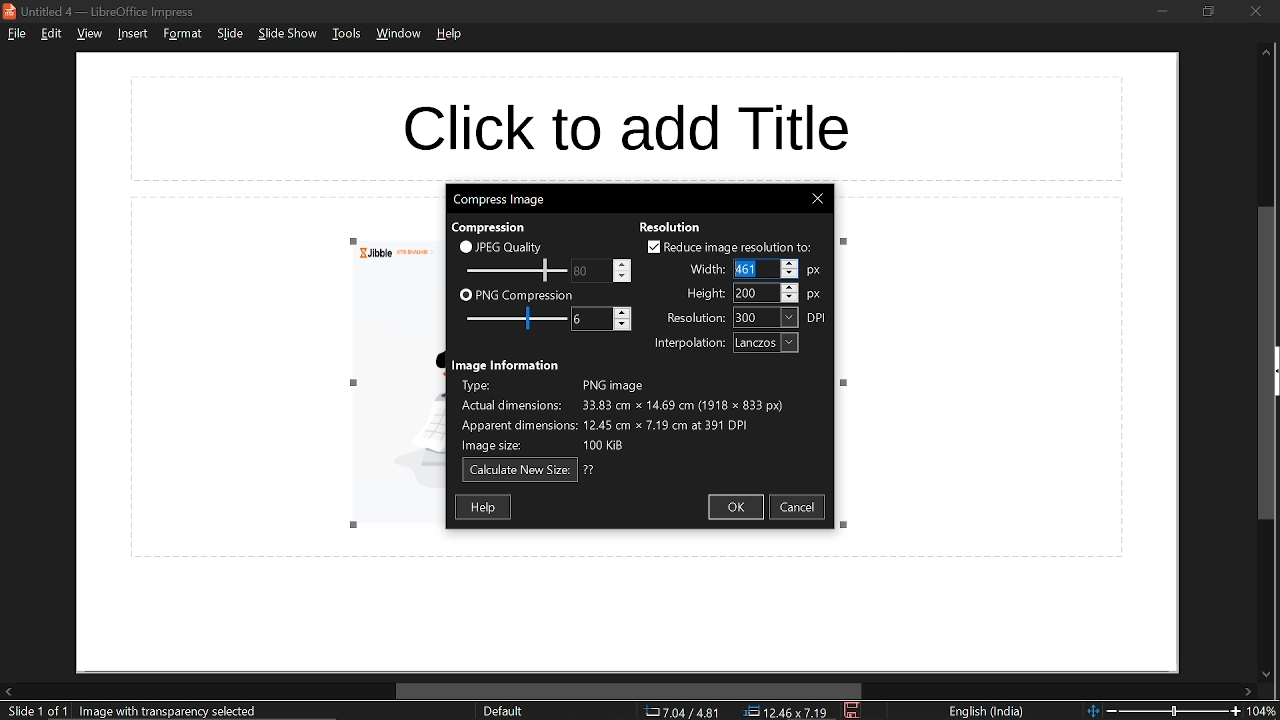 This screenshot has width=1280, height=720. I want to click on location, so click(789, 712).